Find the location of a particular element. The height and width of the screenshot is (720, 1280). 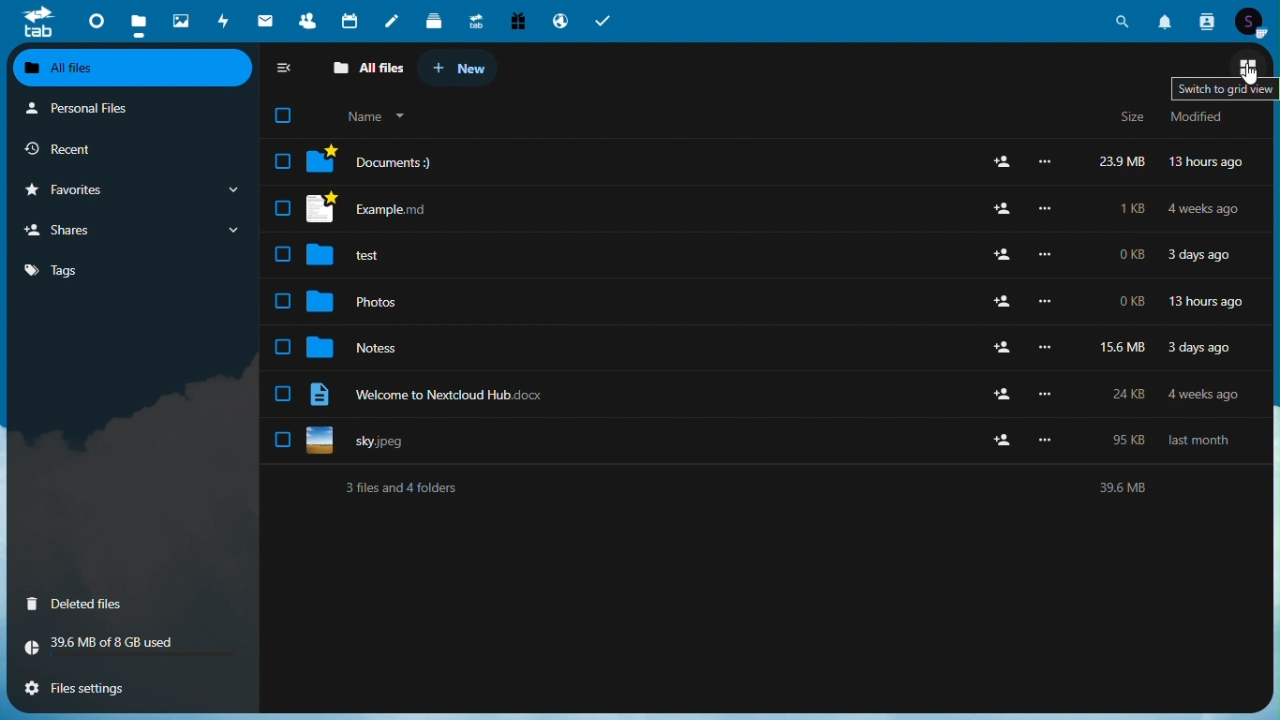

name is located at coordinates (372, 116).